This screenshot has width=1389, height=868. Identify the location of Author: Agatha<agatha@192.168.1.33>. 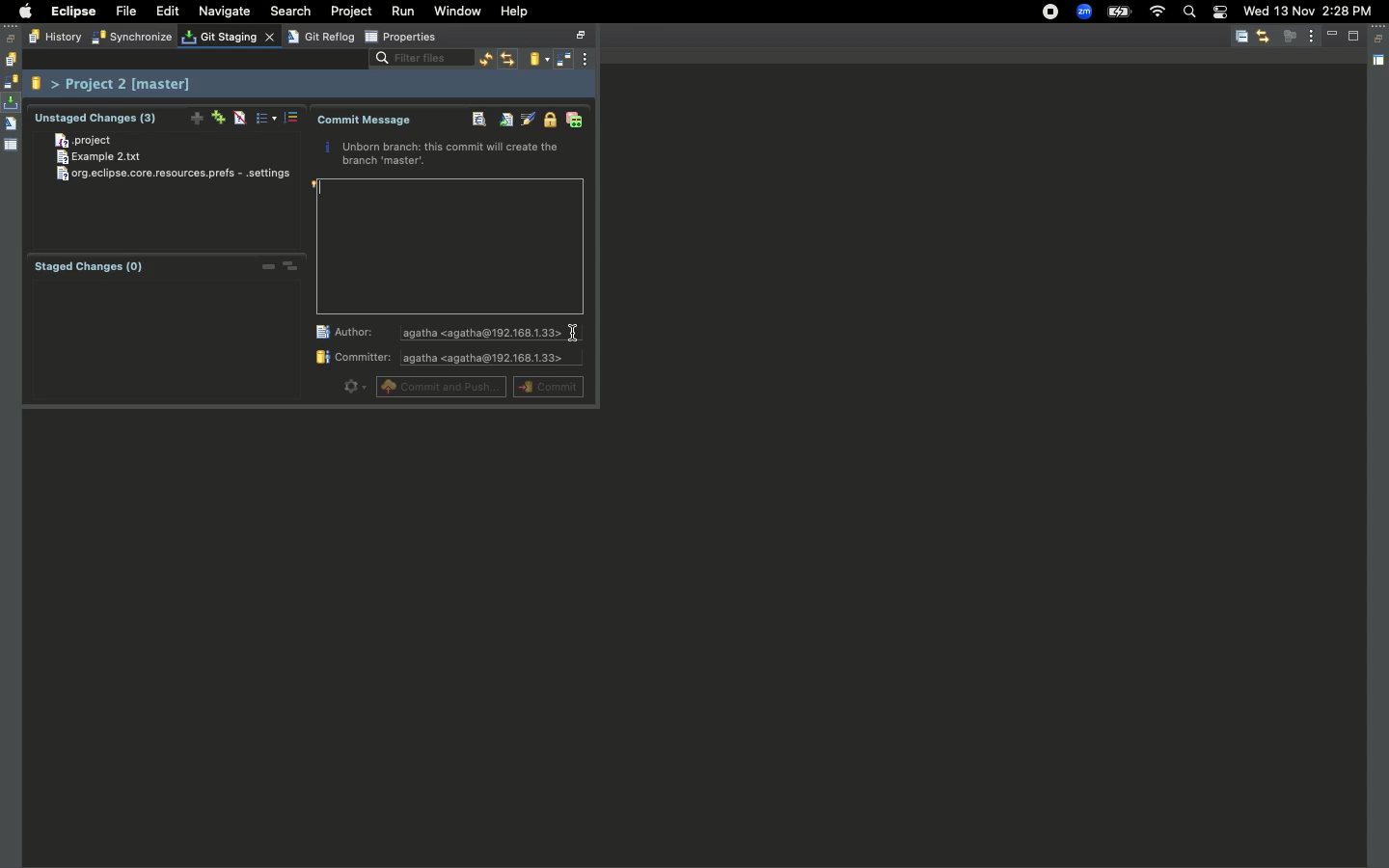
(442, 332).